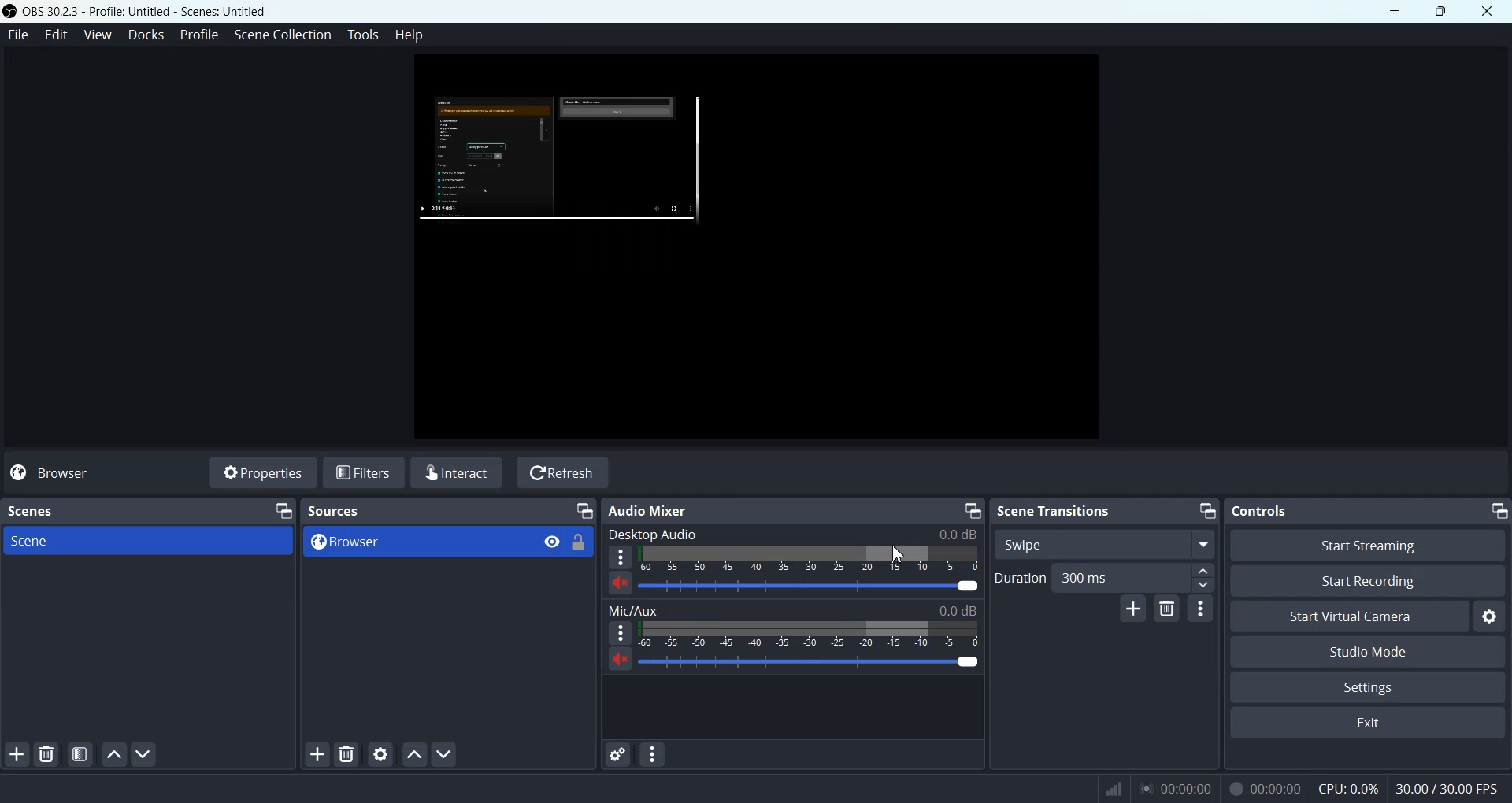 Image resolution: width=1512 pixels, height=803 pixels. I want to click on Advance audio properties, so click(618, 754).